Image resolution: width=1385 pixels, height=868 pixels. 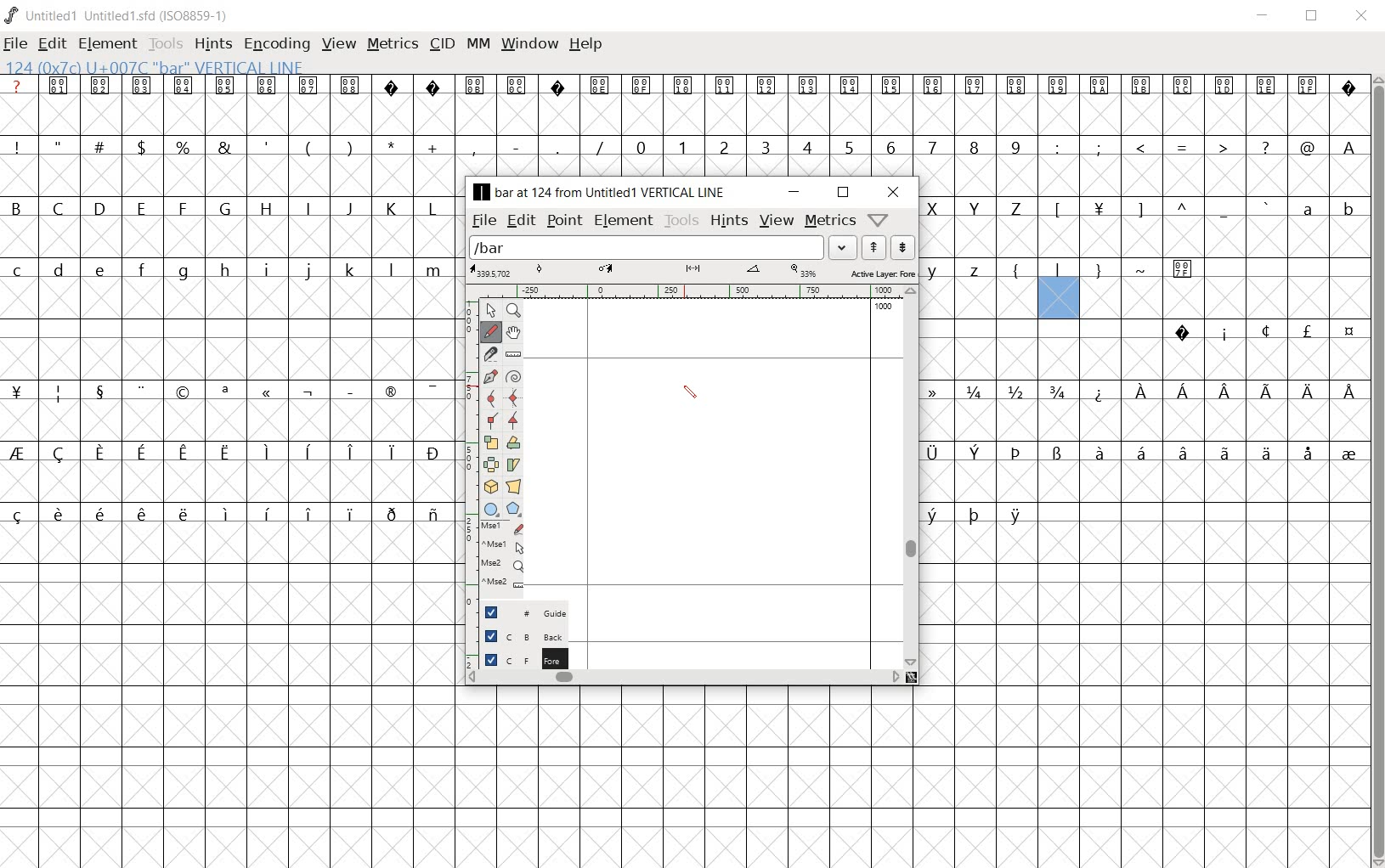 I want to click on encoding, so click(x=278, y=43).